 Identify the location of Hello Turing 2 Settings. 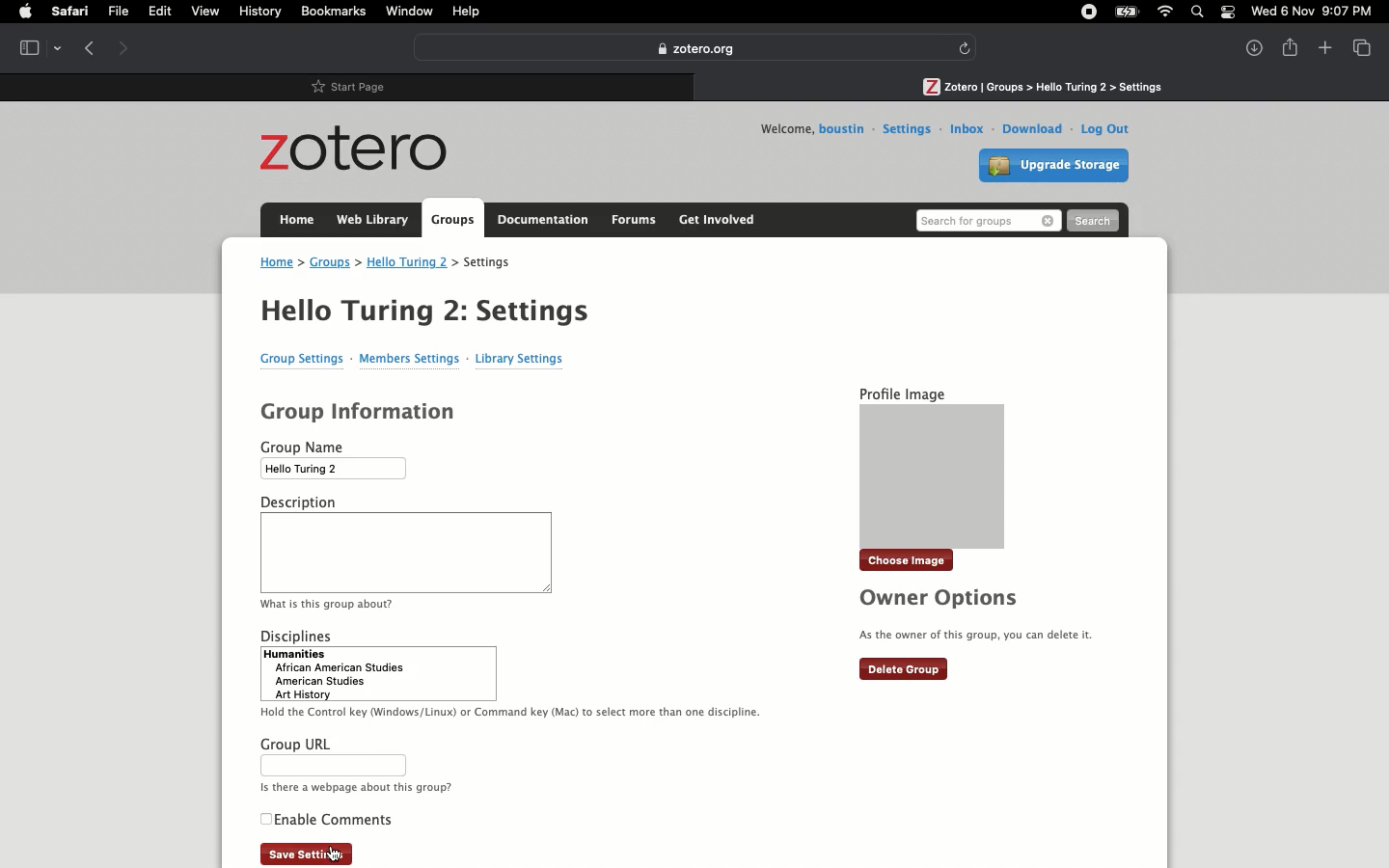
(421, 311).